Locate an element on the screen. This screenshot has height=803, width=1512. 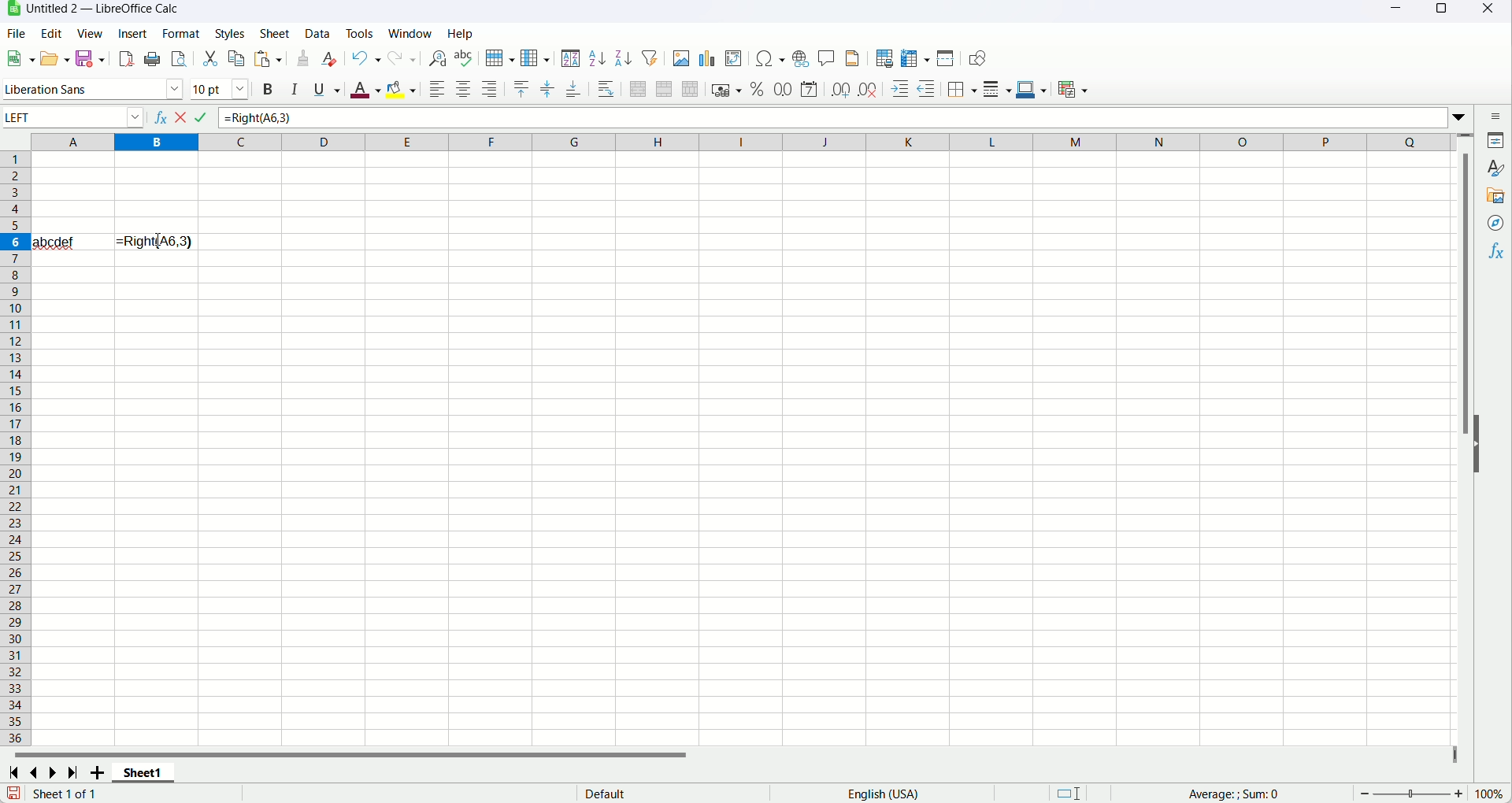
styles is located at coordinates (229, 33).